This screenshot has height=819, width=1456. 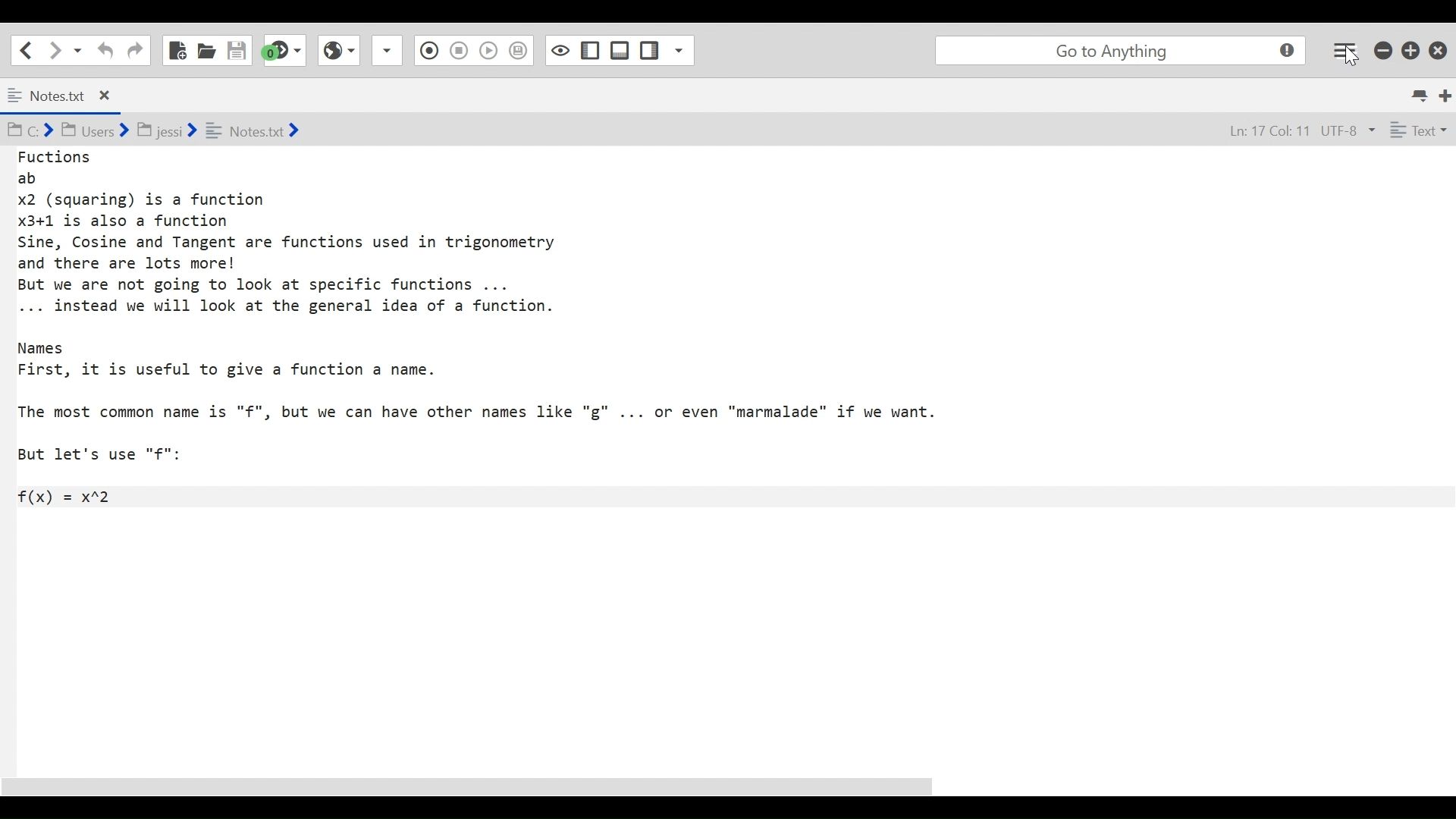 What do you see at coordinates (206, 50) in the screenshot?
I see `Open File` at bounding box center [206, 50].